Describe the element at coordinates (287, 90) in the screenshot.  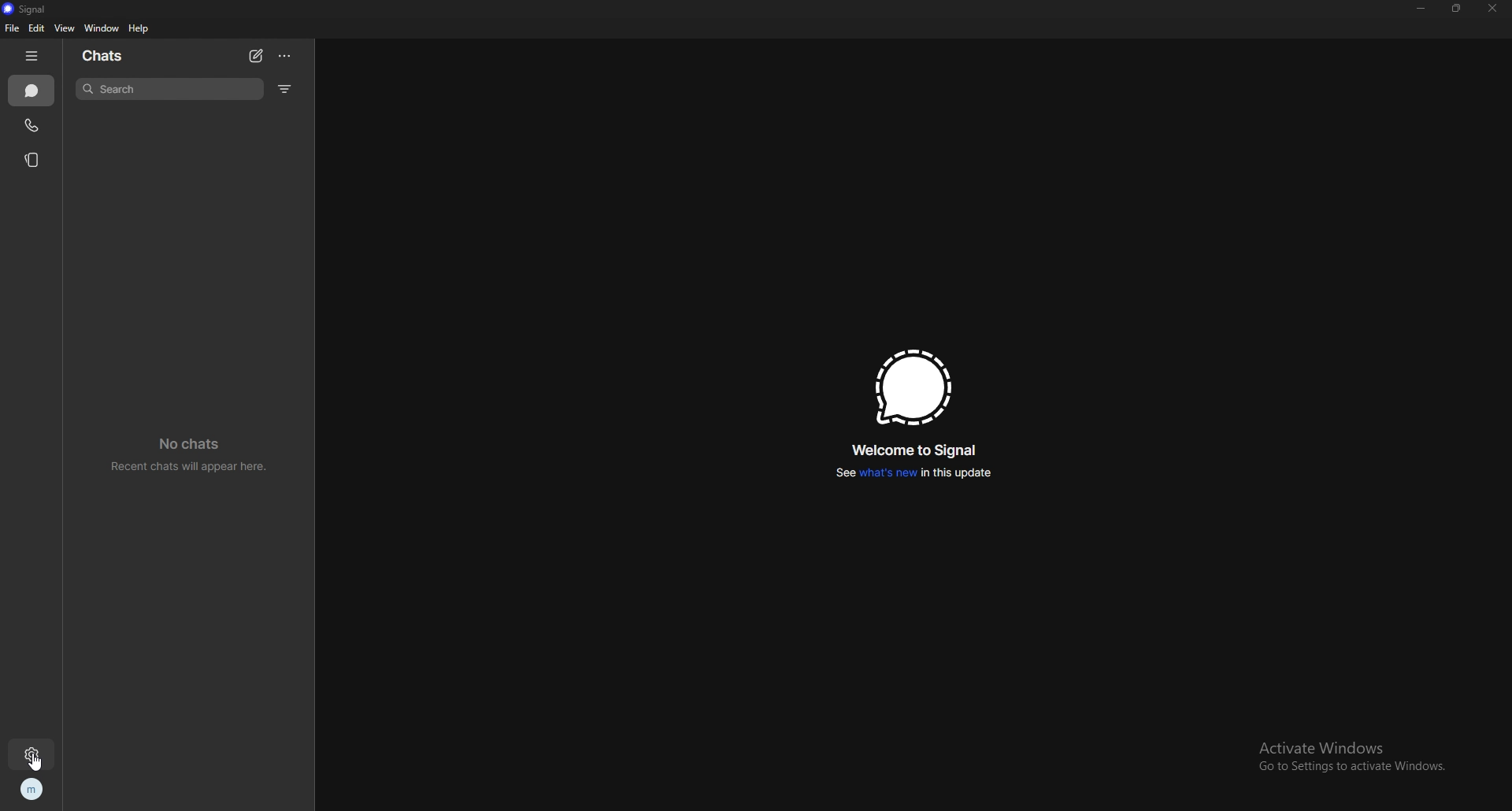
I see `filter` at that location.